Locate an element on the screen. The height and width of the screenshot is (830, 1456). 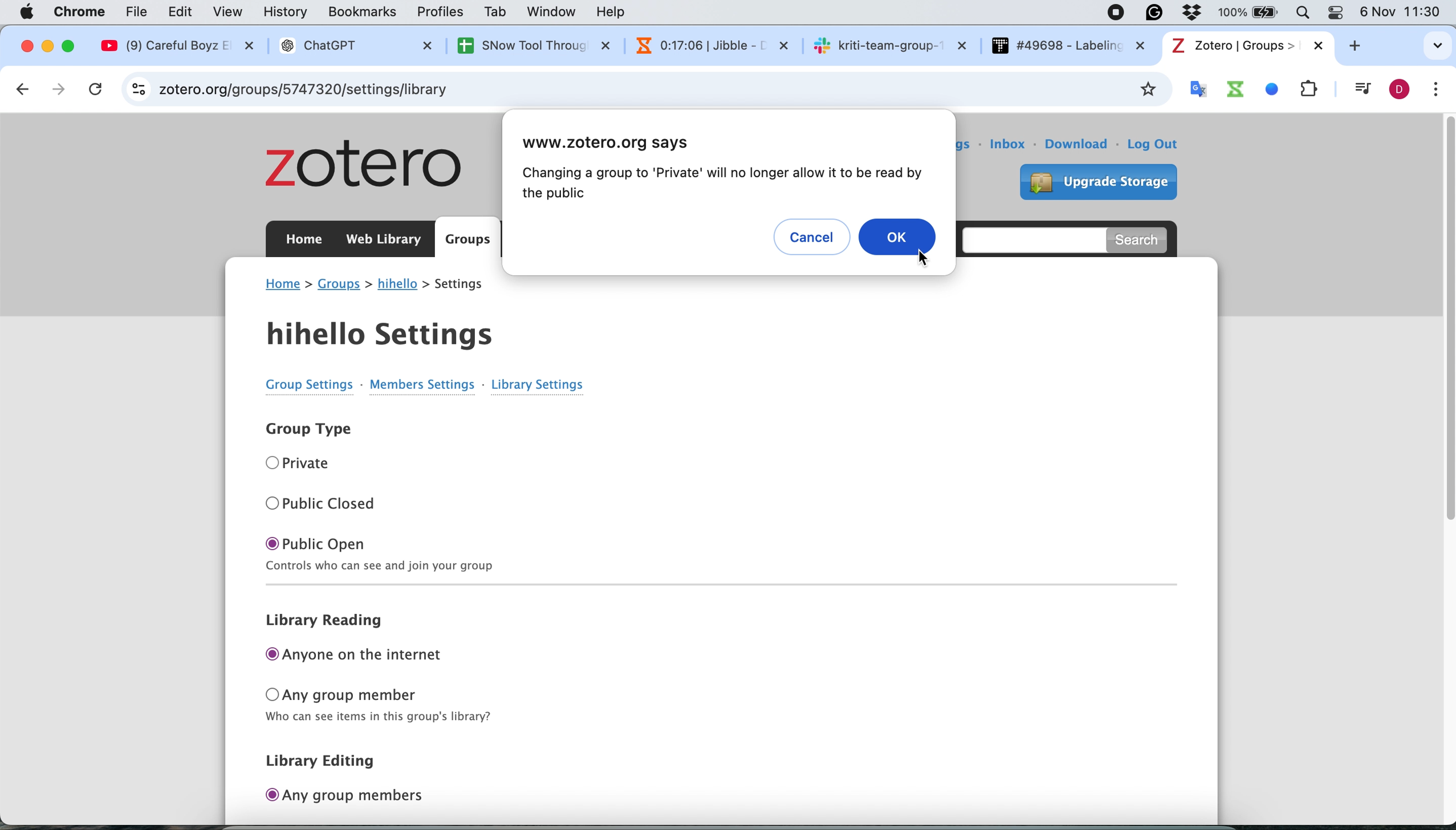
chrome is located at coordinates (82, 11).